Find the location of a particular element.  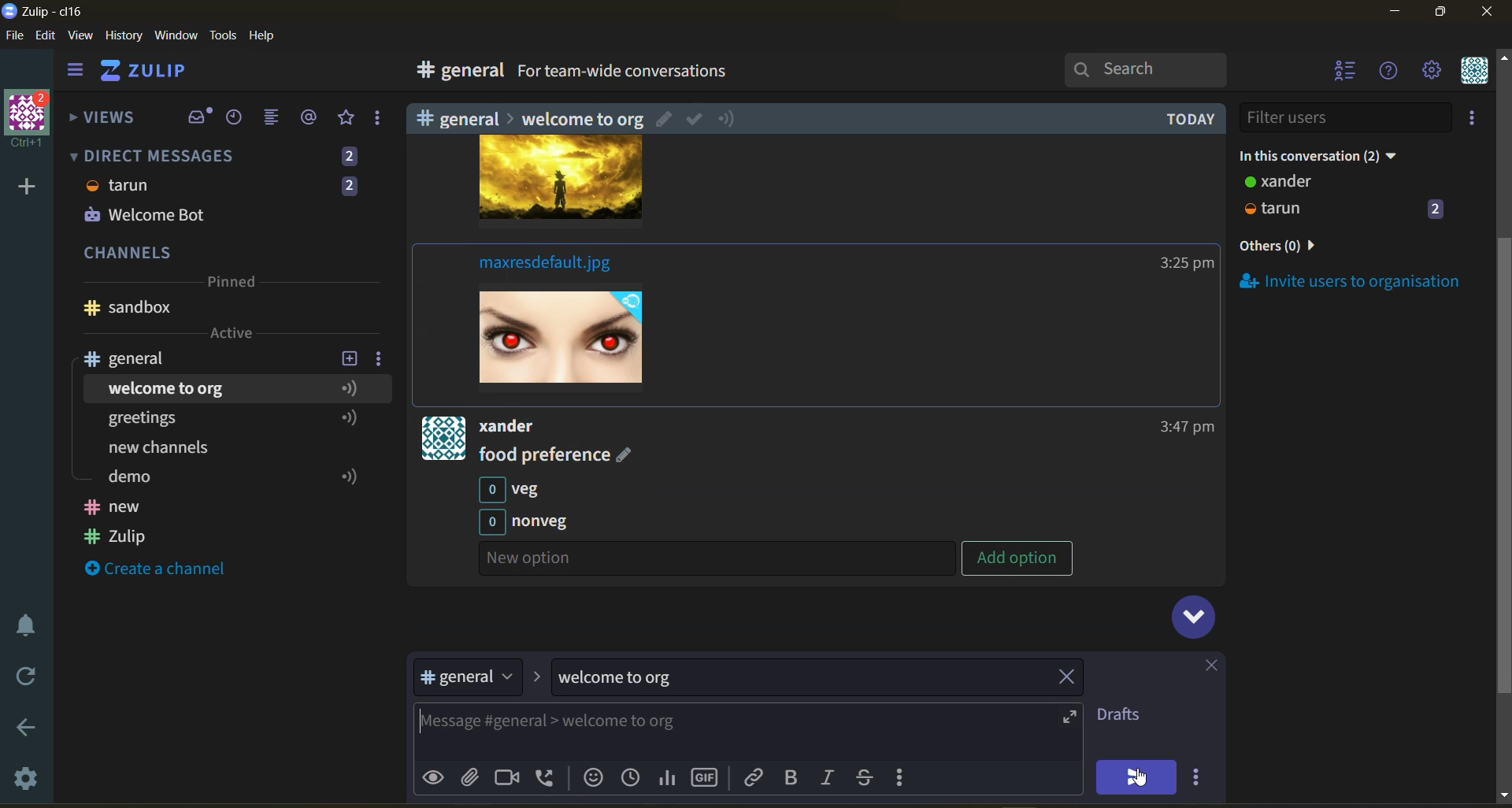

search is located at coordinates (1141, 69).